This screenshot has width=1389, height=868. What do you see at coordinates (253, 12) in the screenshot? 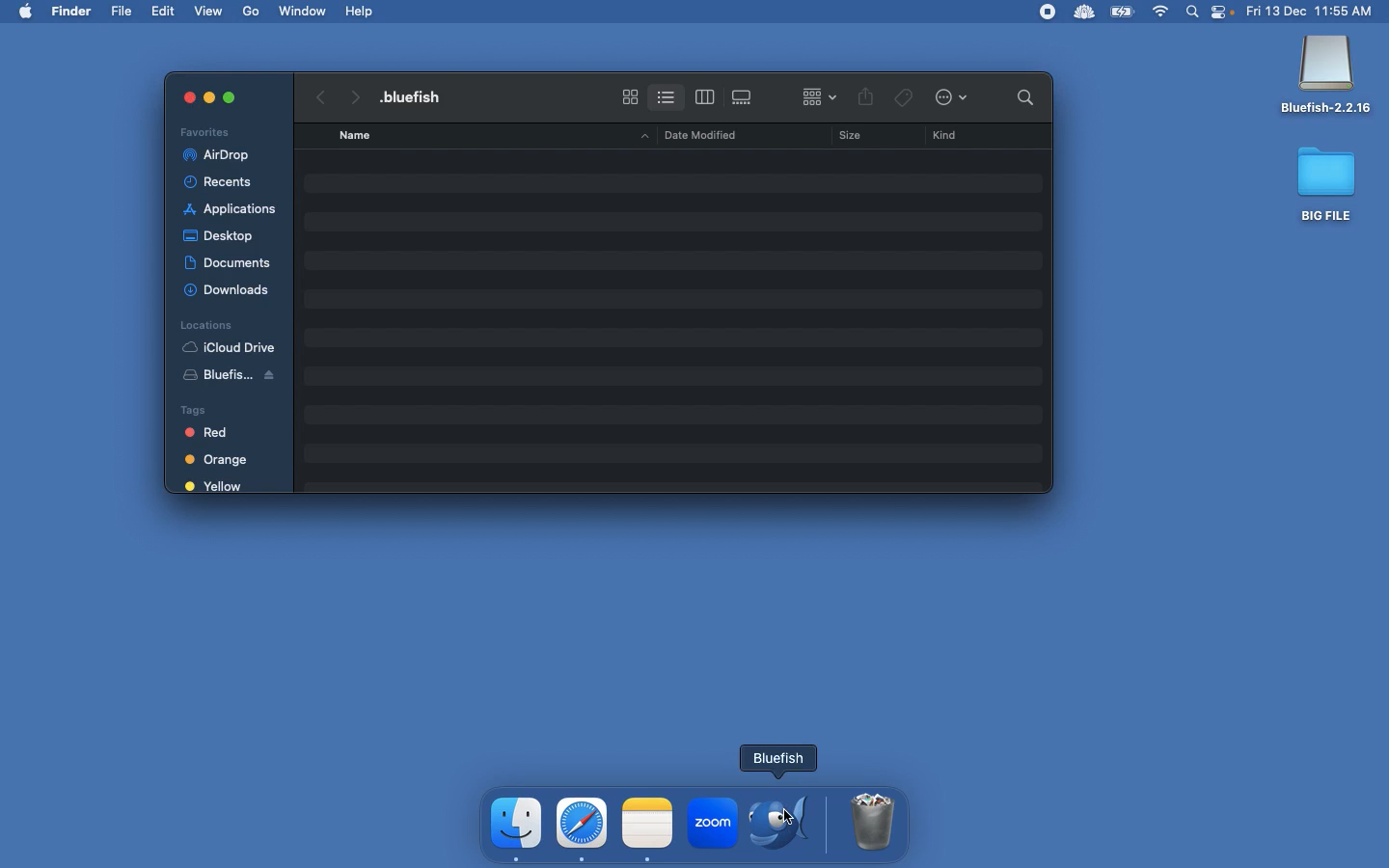
I see `Go` at bounding box center [253, 12].